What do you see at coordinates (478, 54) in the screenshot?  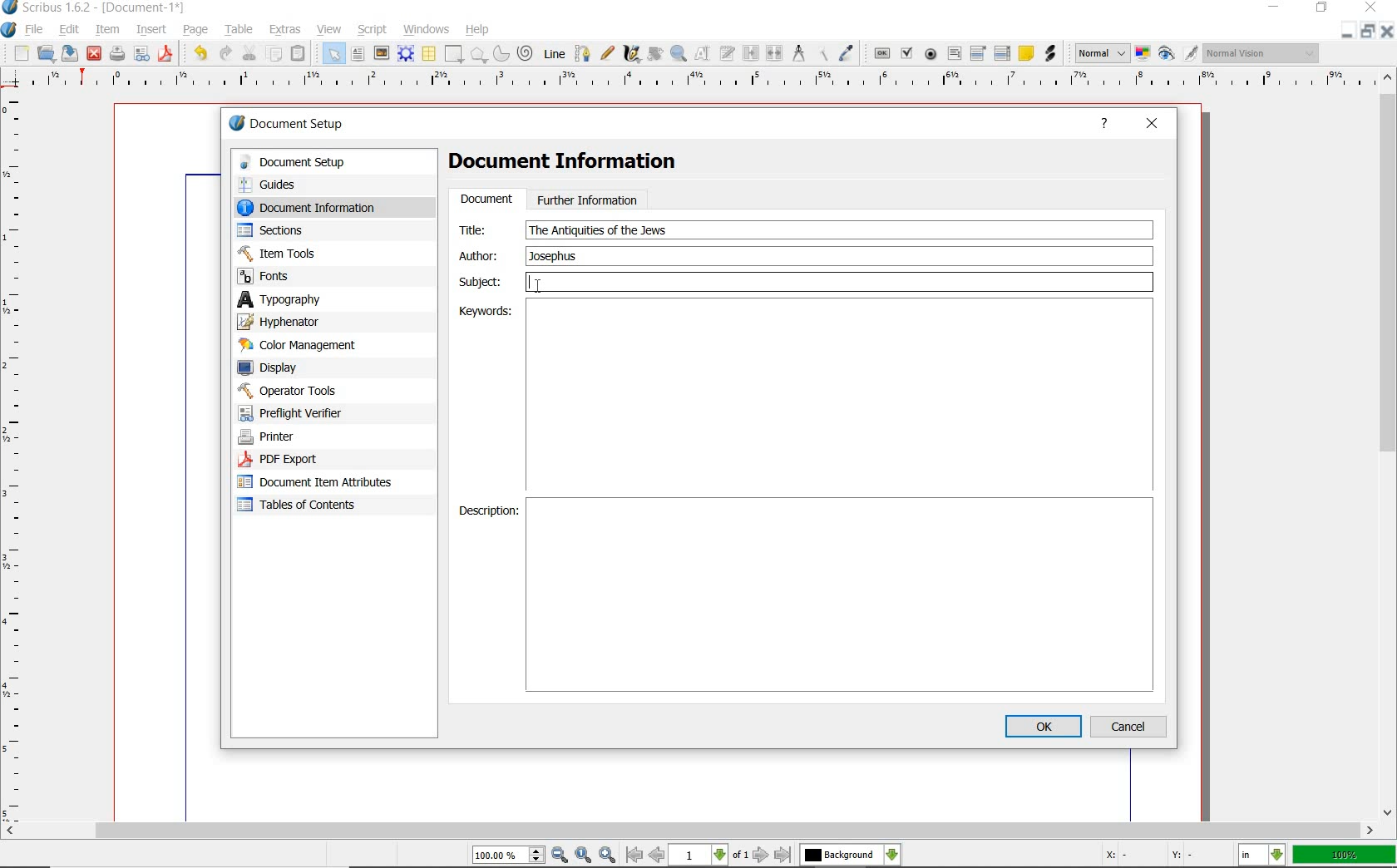 I see `shape` at bounding box center [478, 54].